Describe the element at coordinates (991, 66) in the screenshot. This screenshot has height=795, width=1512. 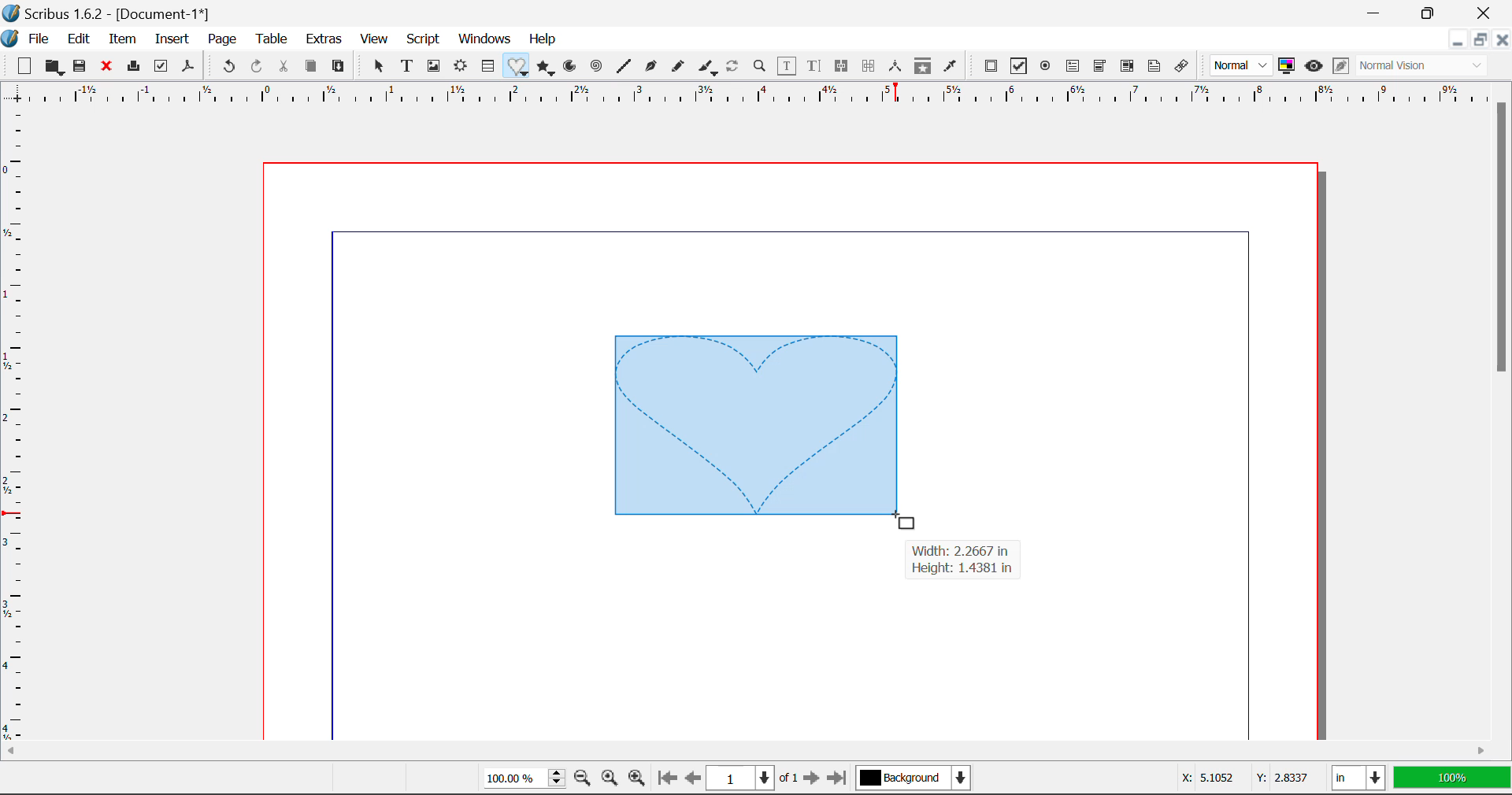
I see `Pdf Push Button` at that location.